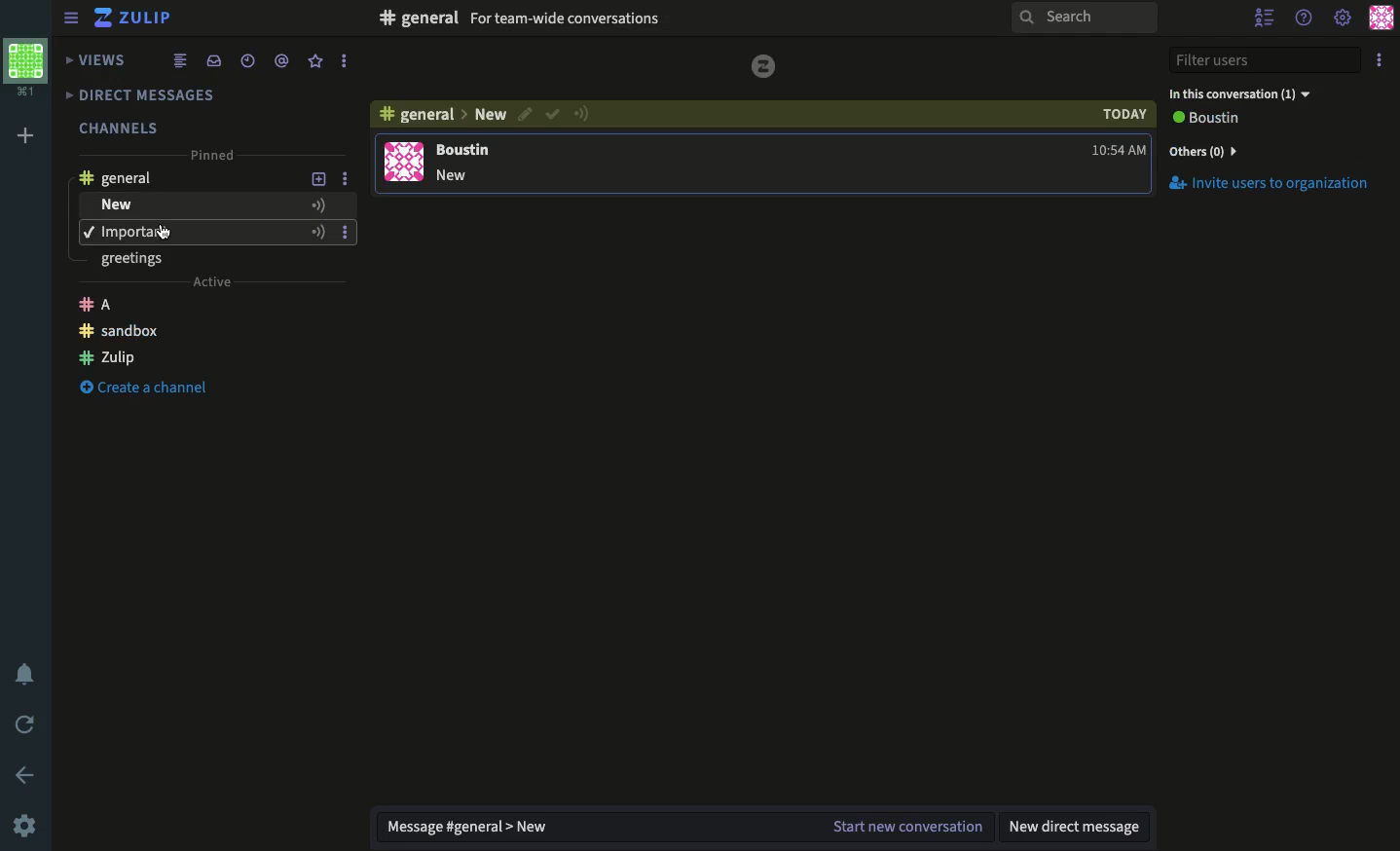  Describe the element at coordinates (1343, 19) in the screenshot. I see `Settings` at that location.